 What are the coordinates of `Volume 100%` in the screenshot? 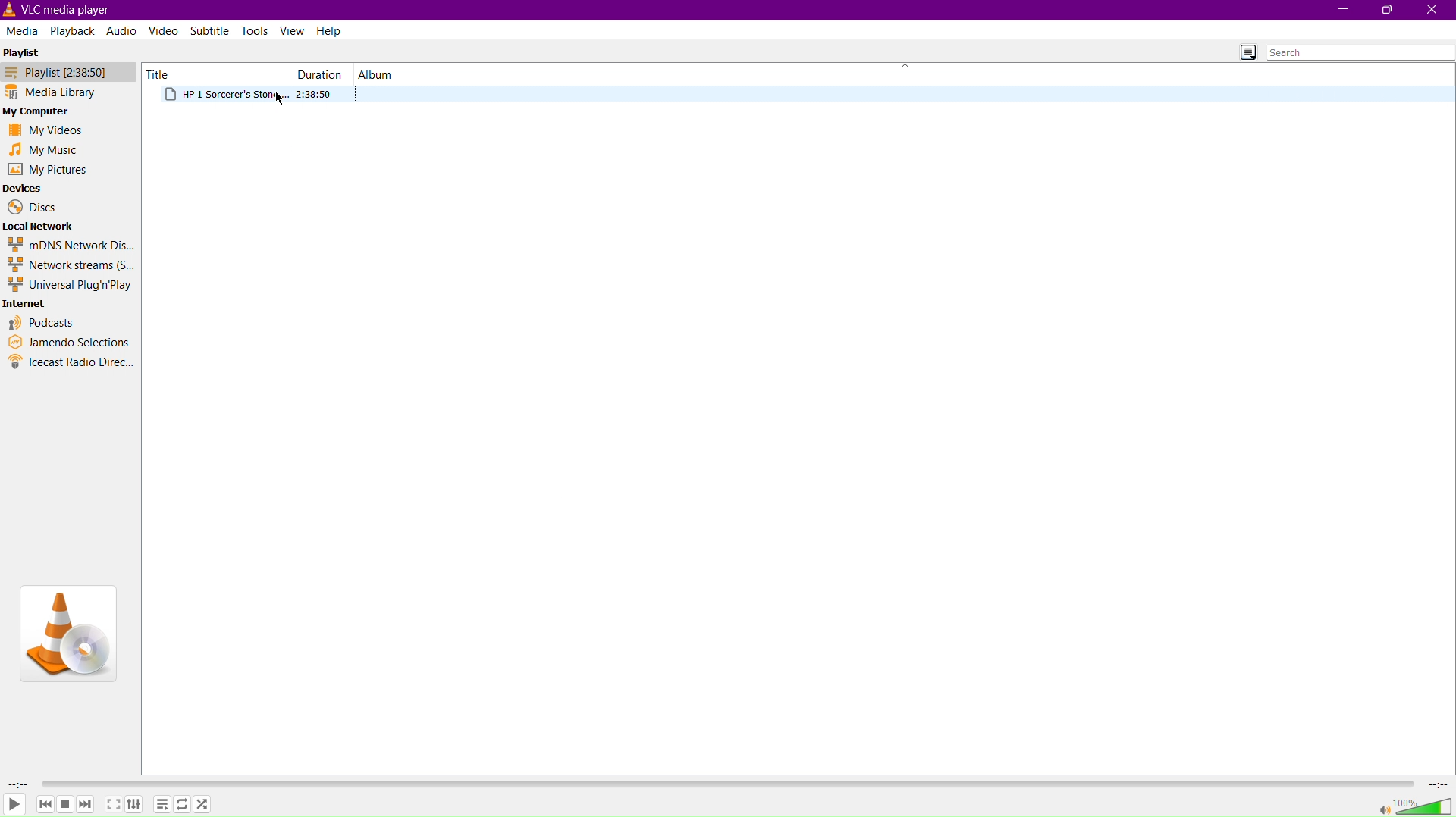 It's located at (1416, 804).